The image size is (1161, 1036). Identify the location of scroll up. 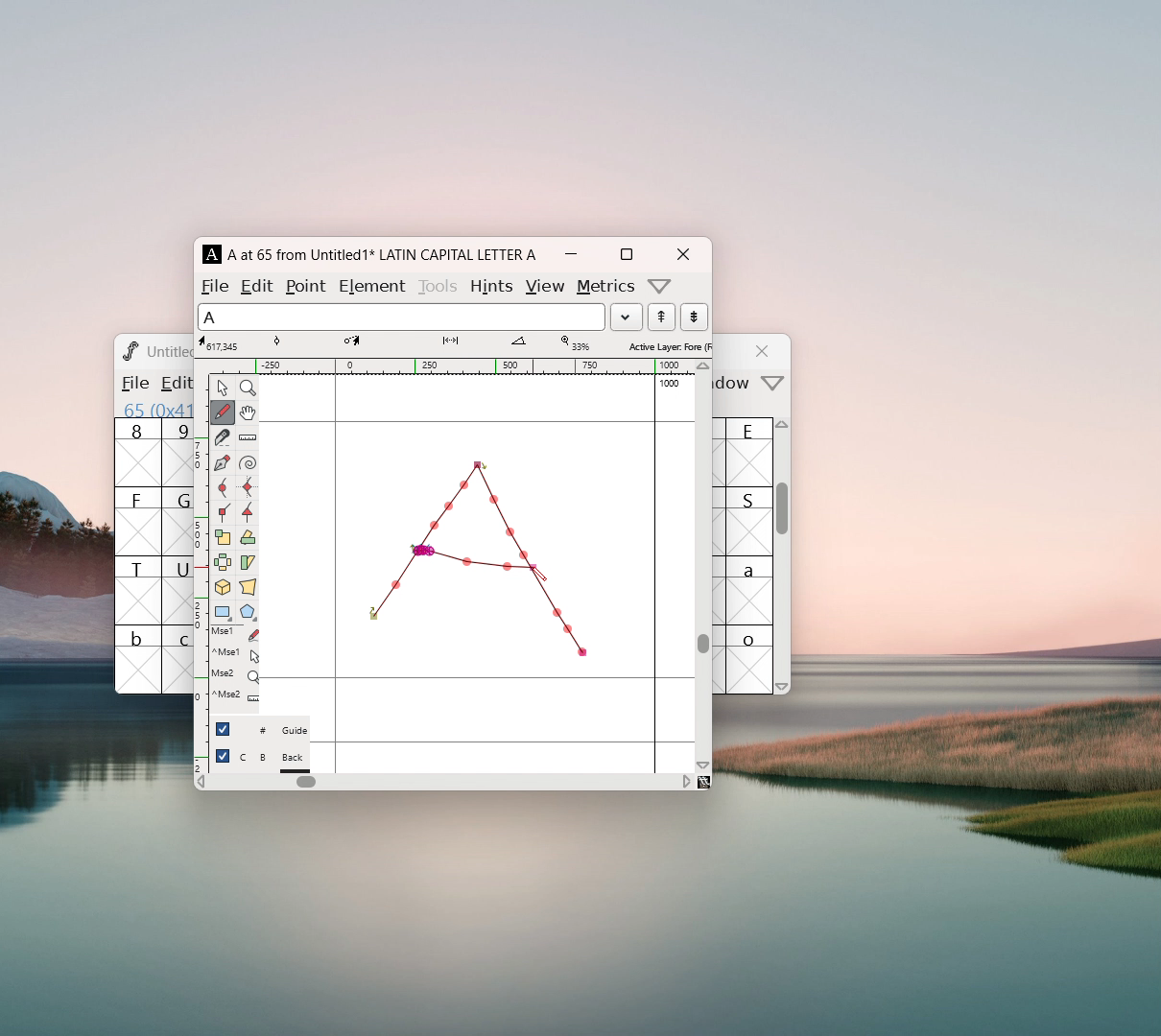
(704, 366).